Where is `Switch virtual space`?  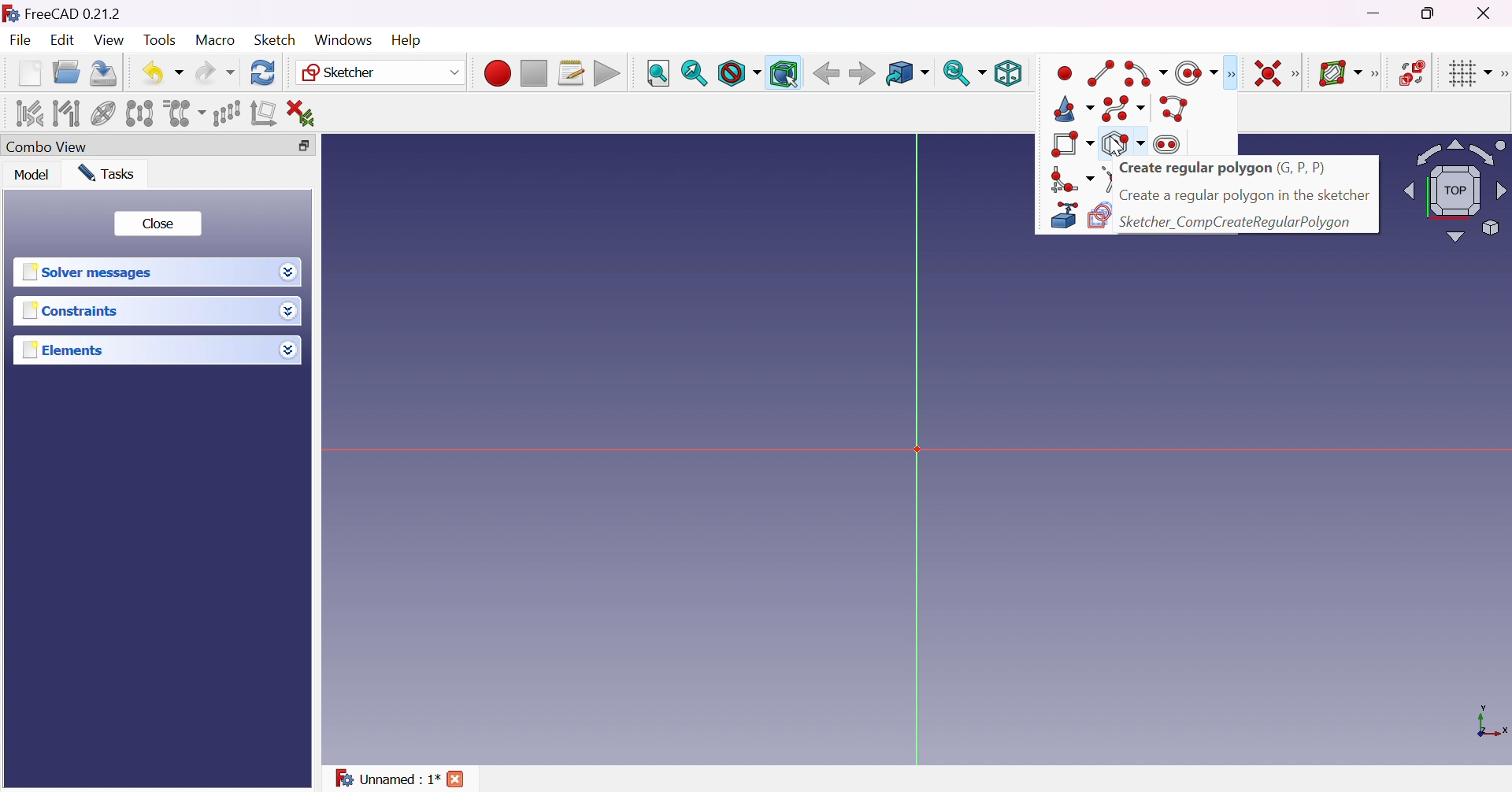
Switch virtual space is located at coordinates (1410, 72).